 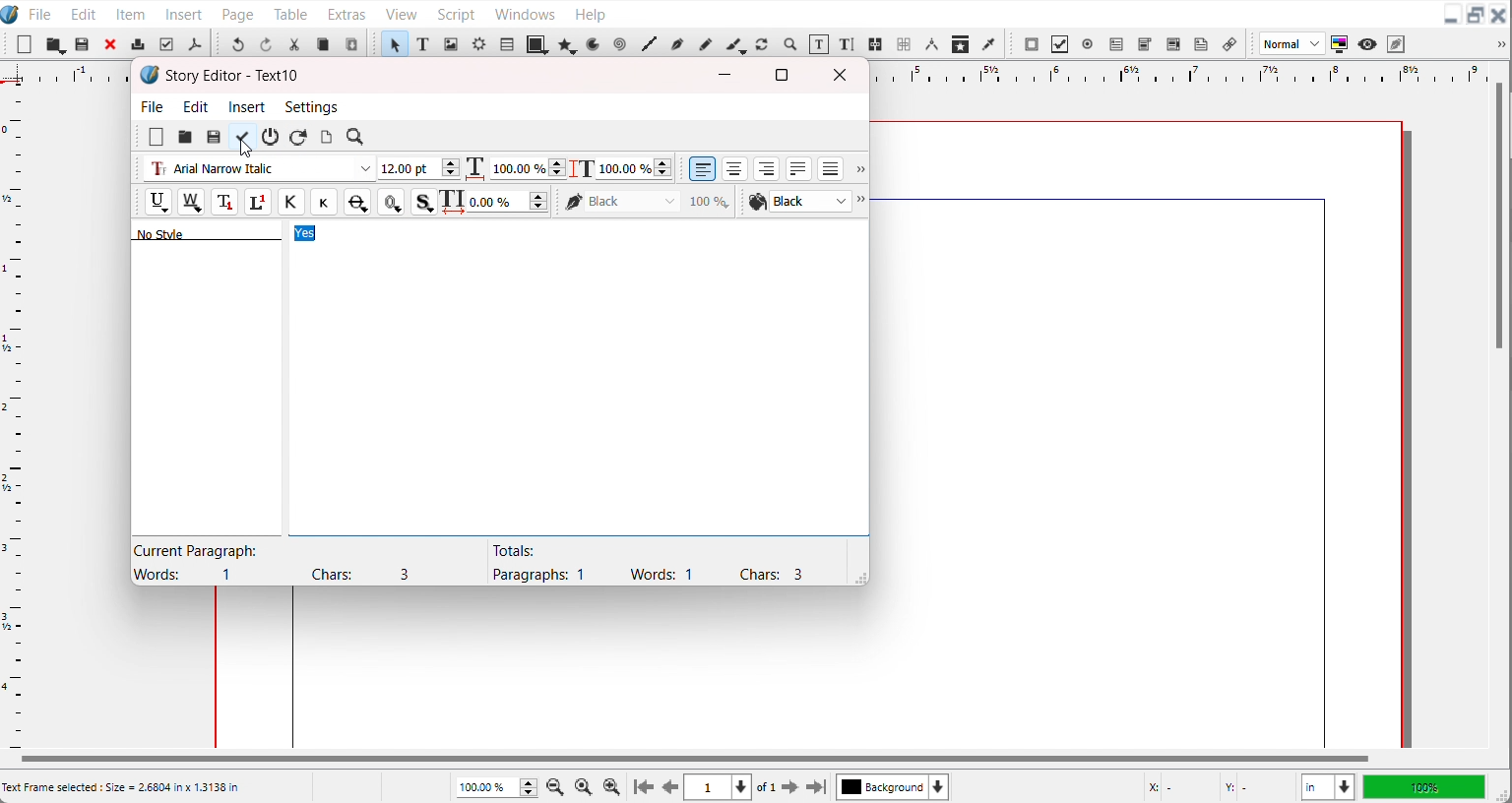 I want to click on Align text center, so click(x=735, y=168).